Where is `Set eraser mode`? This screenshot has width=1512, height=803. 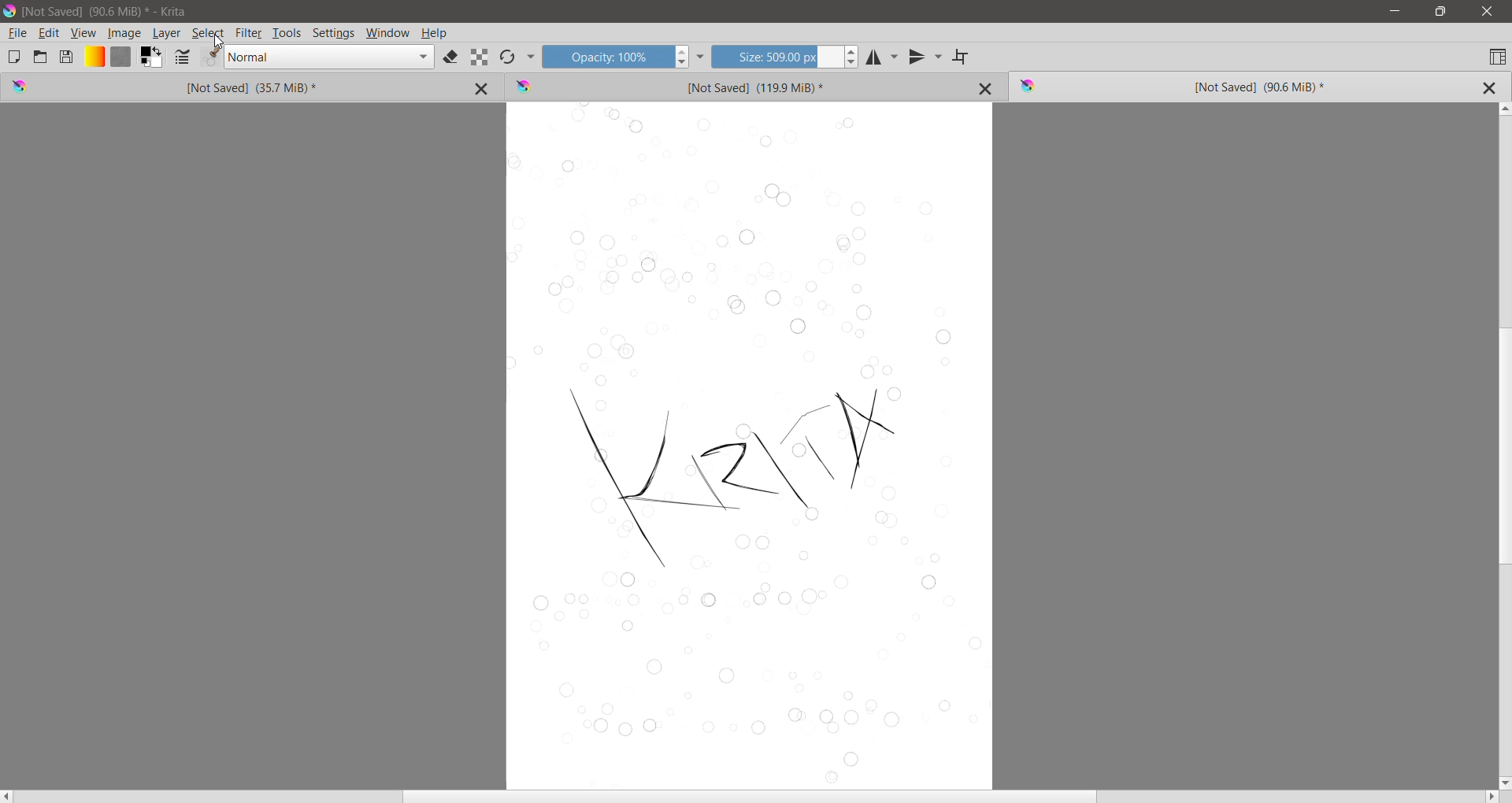
Set eraser mode is located at coordinates (452, 58).